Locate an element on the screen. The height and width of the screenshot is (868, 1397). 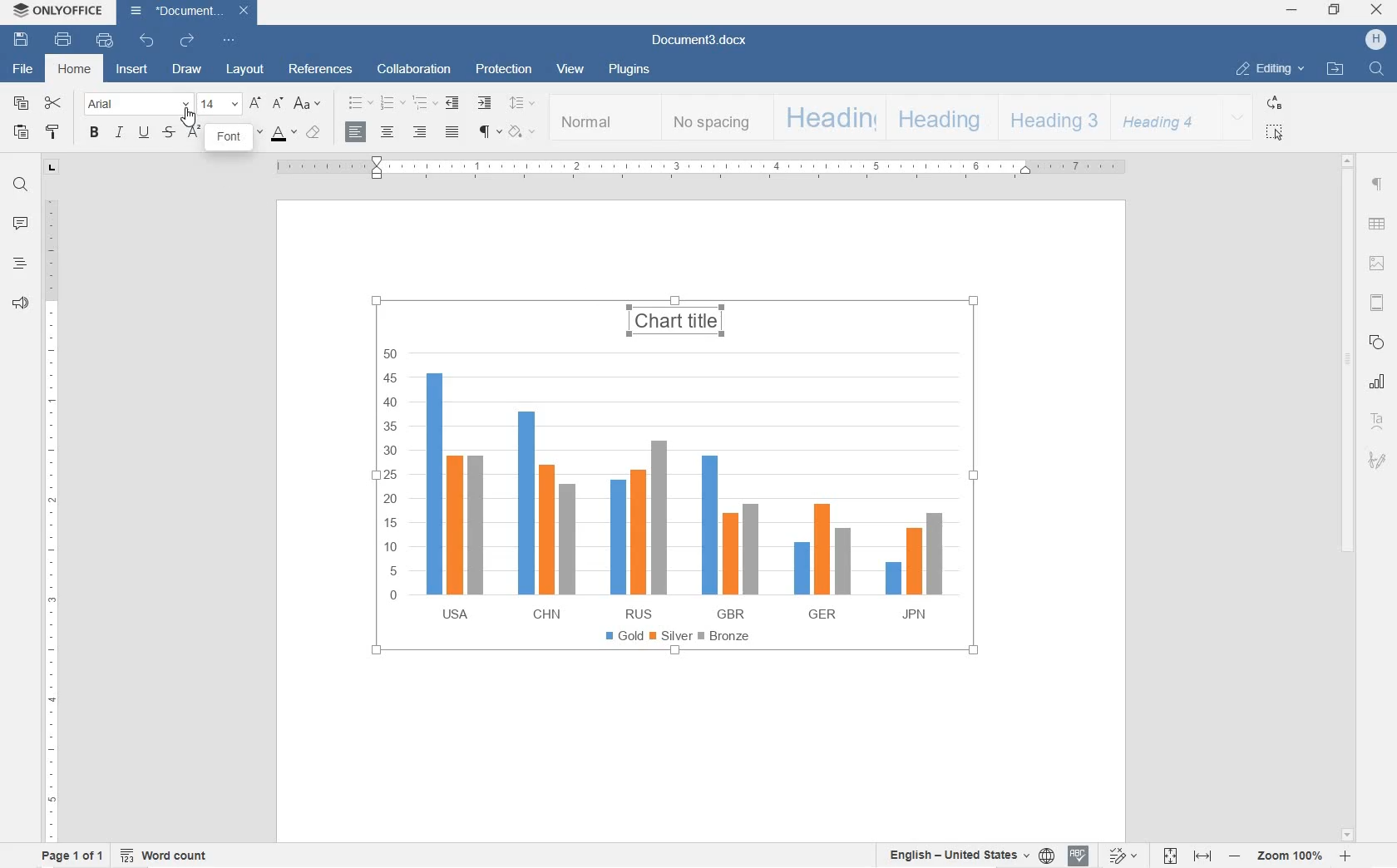
FIND is located at coordinates (21, 185).